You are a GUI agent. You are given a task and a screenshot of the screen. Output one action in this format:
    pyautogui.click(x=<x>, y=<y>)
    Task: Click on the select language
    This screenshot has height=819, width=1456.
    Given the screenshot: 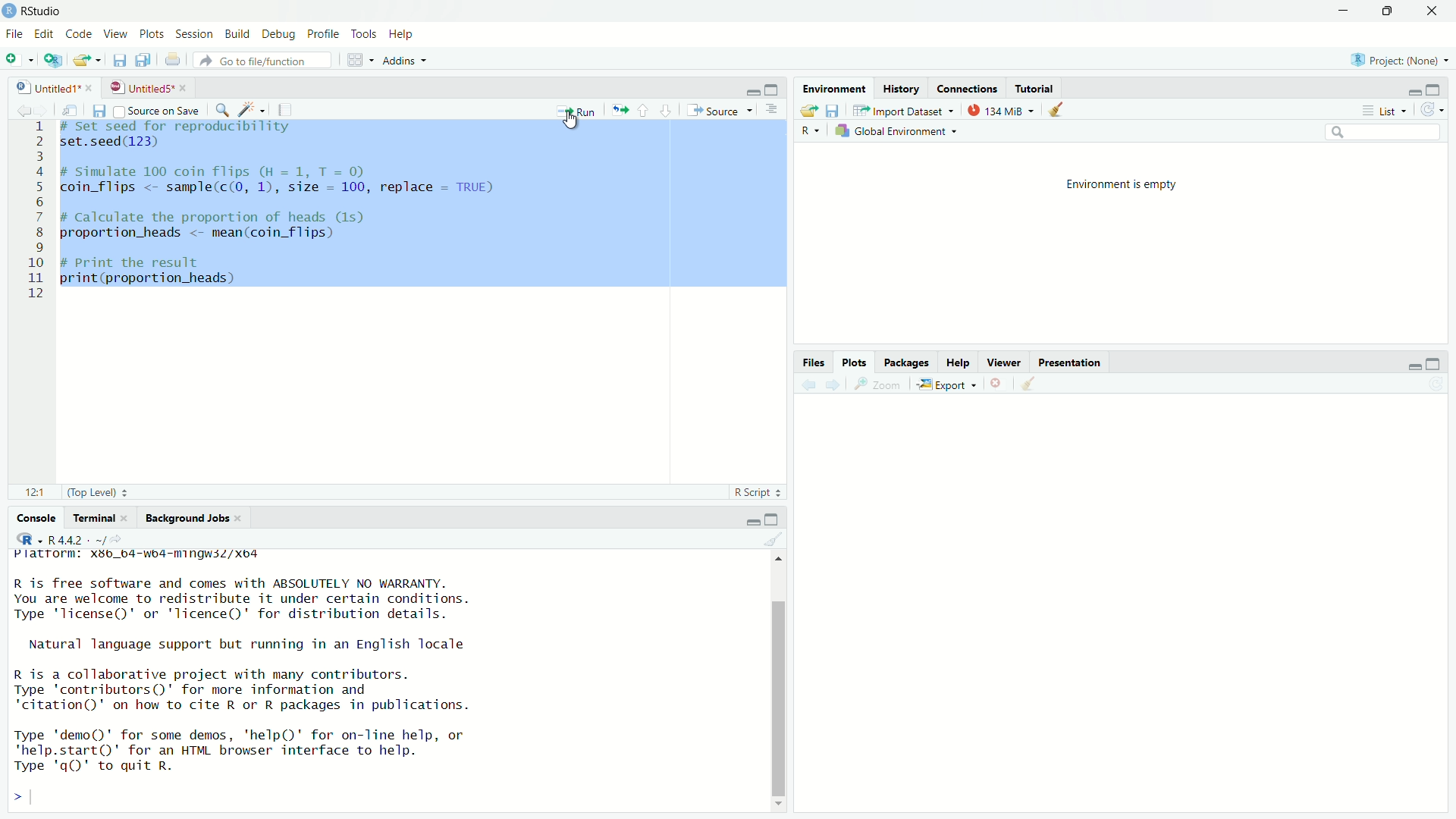 What is the action you would take?
    pyautogui.click(x=812, y=132)
    